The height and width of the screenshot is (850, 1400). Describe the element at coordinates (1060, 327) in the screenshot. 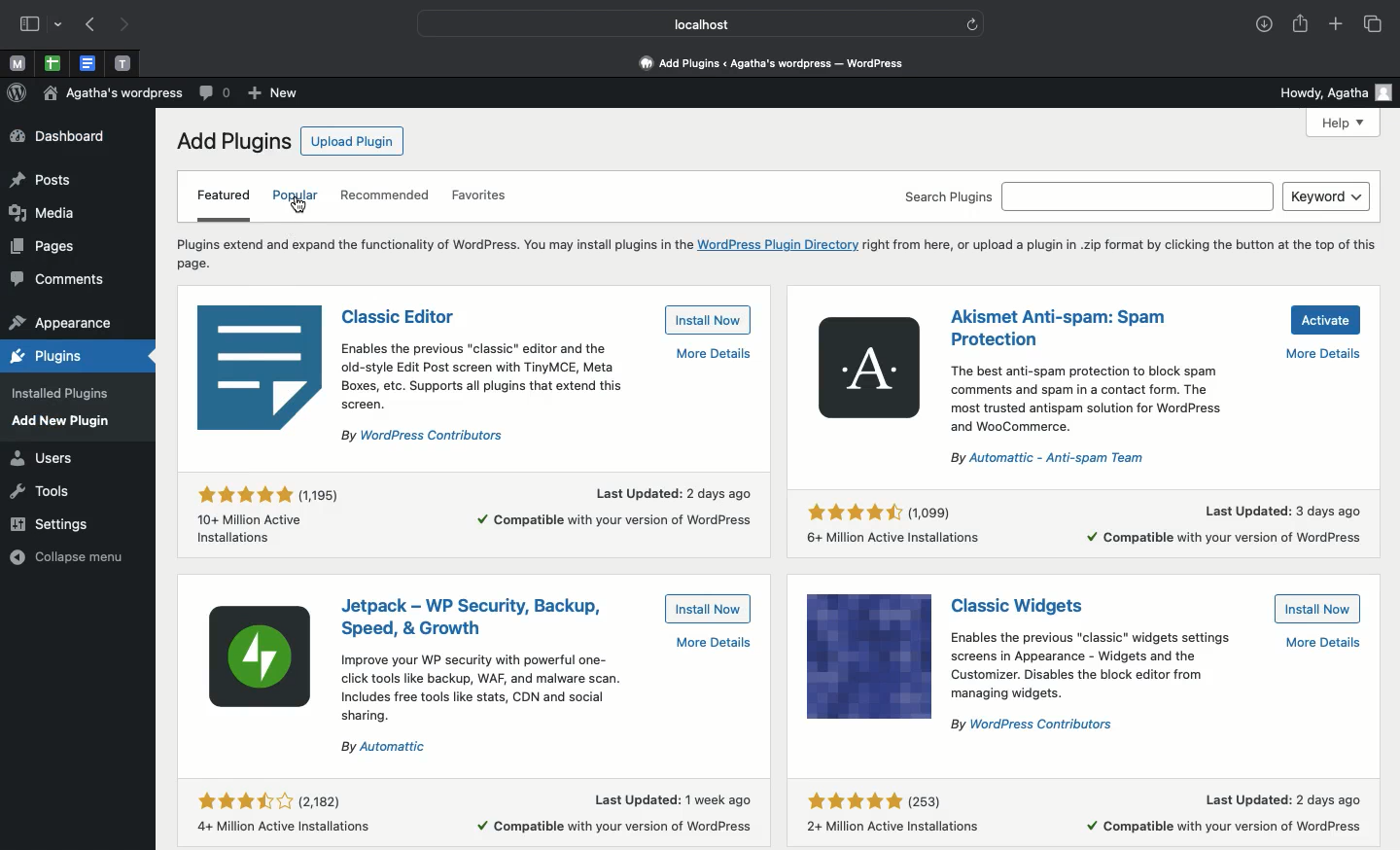

I see `Anti-spam` at that location.